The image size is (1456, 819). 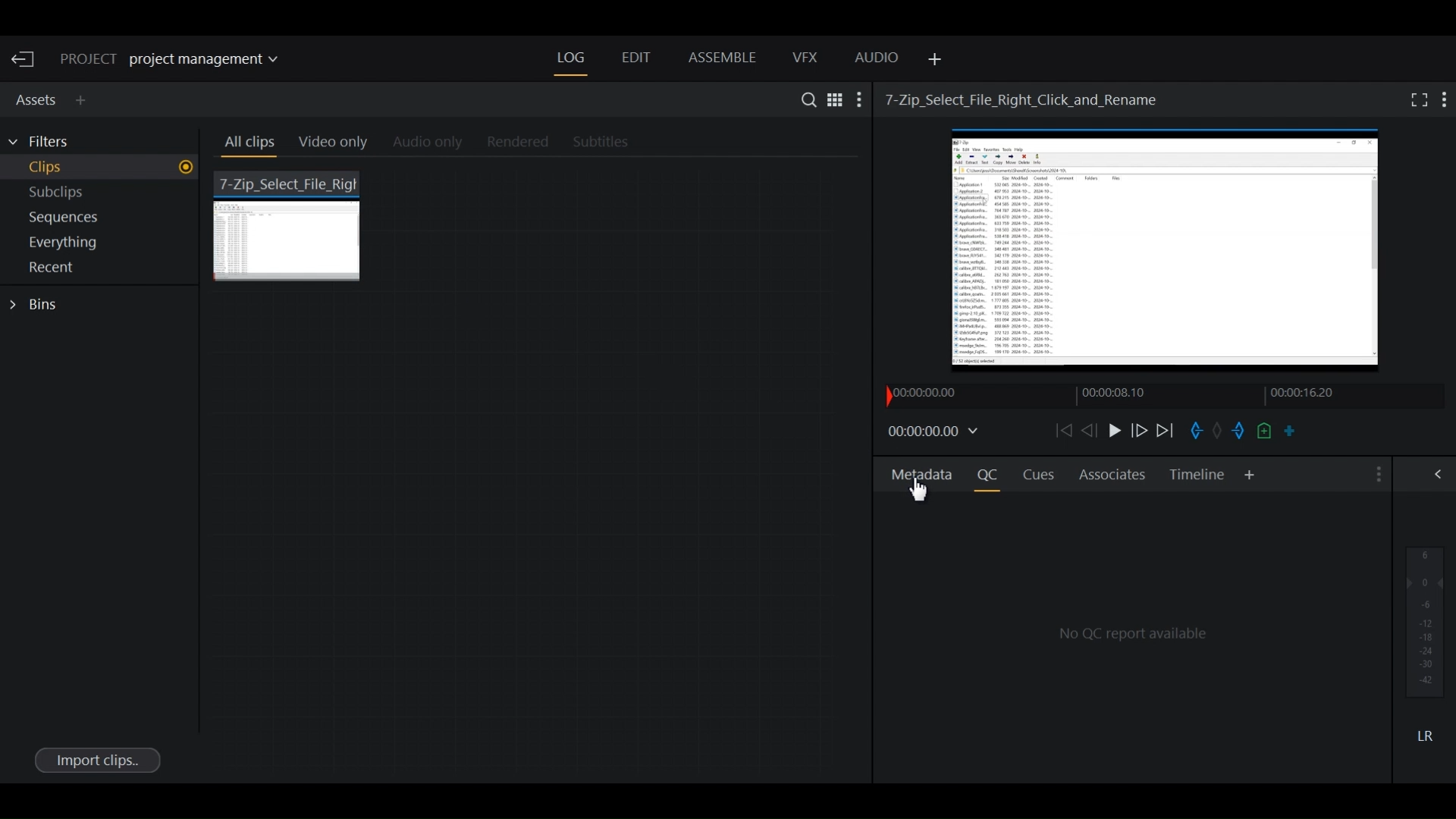 What do you see at coordinates (877, 60) in the screenshot?
I see `Audio` at bounding box center [877, 60].